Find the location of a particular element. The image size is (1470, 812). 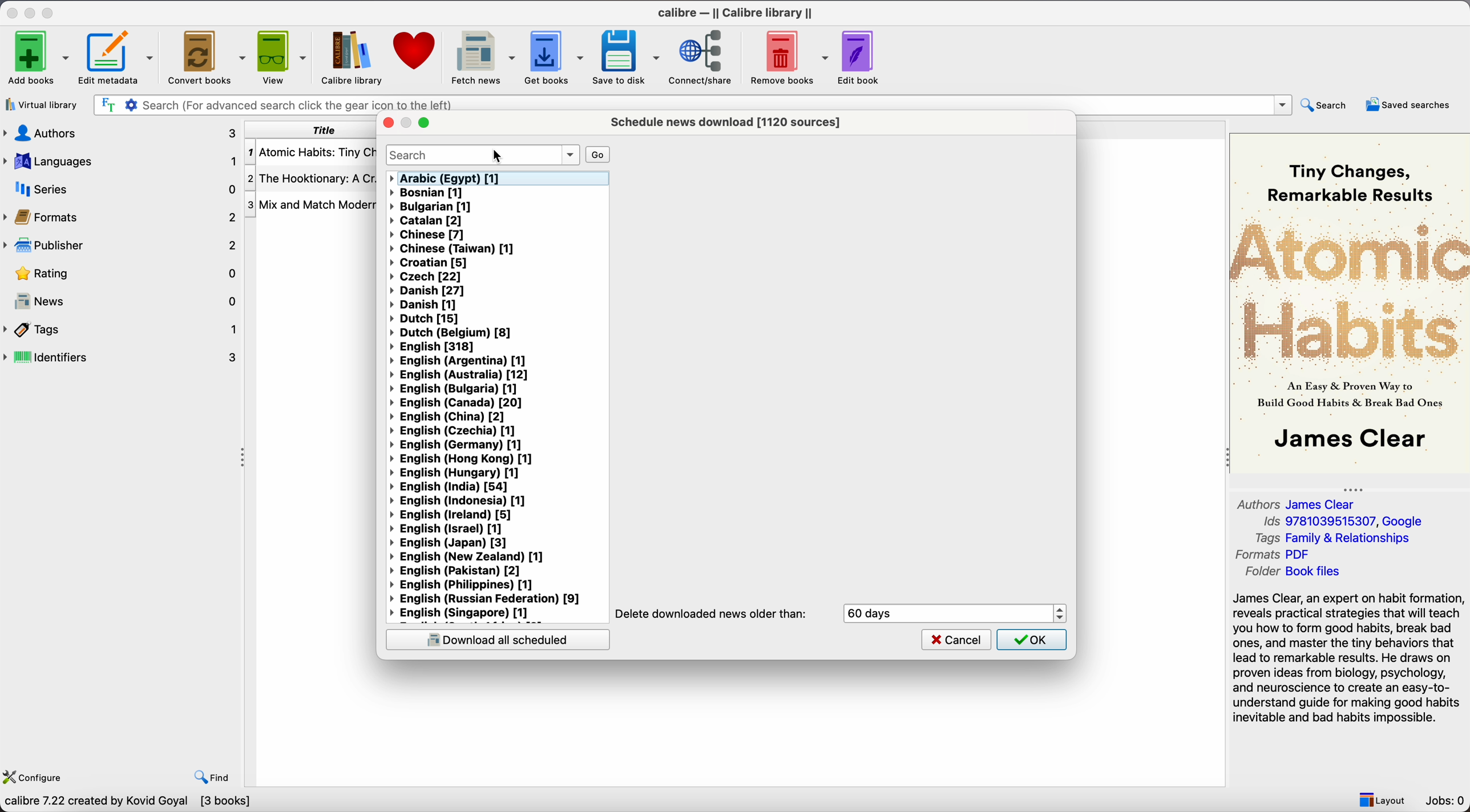

series is located at coordinates (122, 188).